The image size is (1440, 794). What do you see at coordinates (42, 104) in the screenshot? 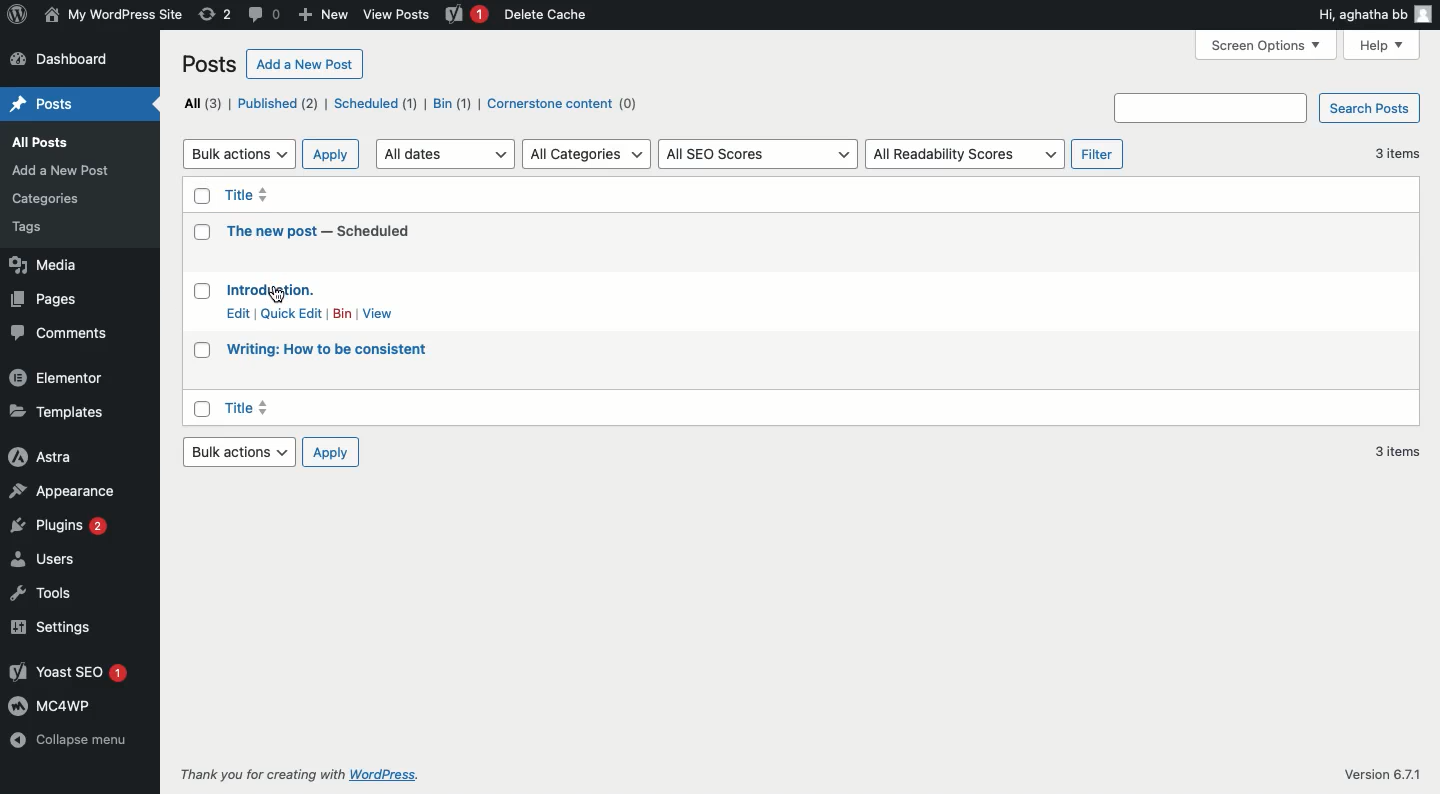
I see `Posts` at bounding box center [42, 104].